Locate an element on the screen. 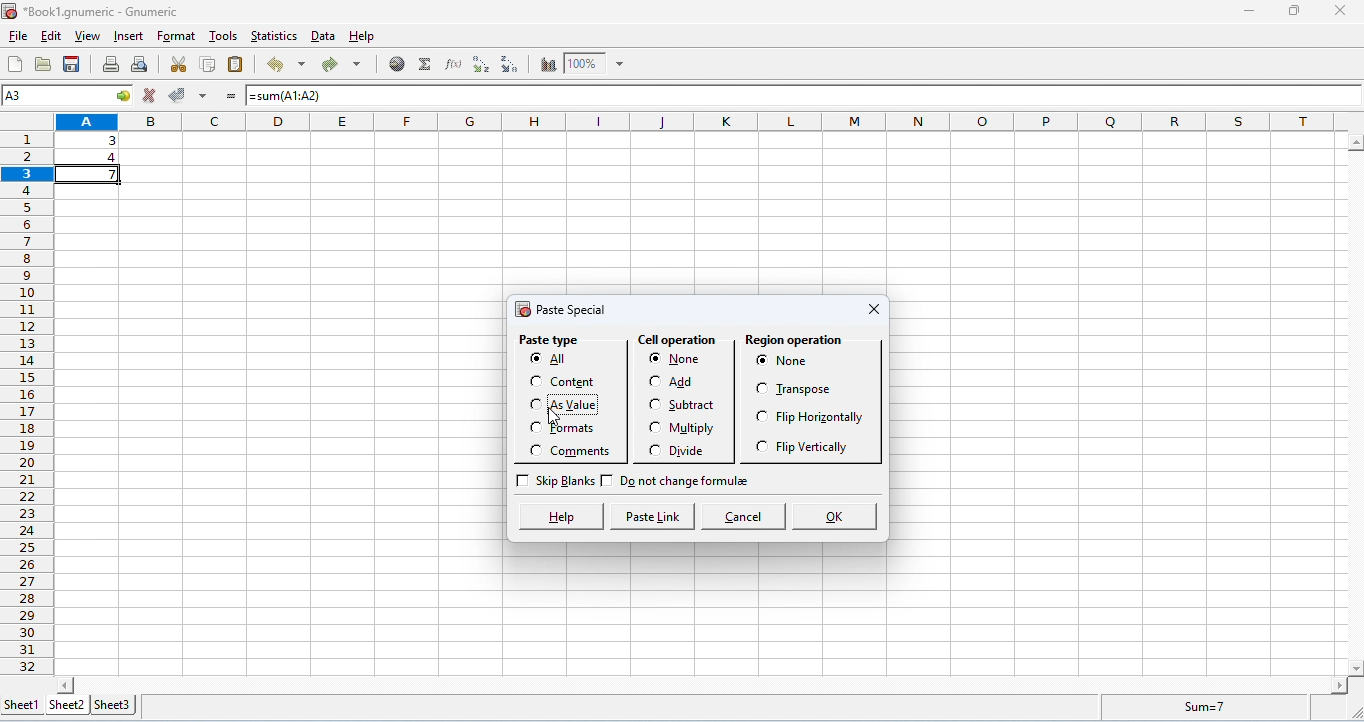 This screenshot has width=1364, height=722. cell operation is located at coordinates (679, 341).